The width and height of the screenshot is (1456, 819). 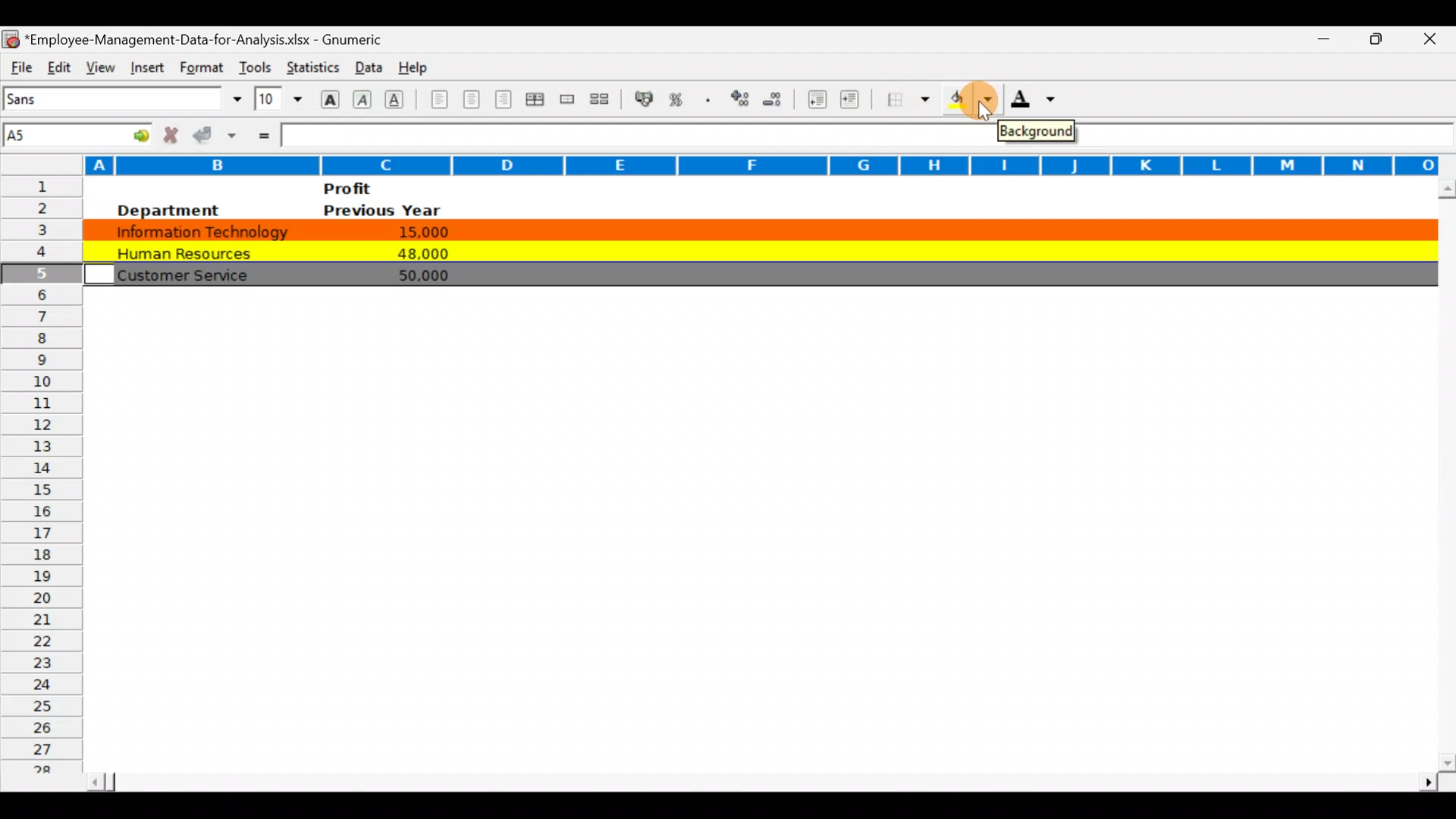 I want to click on Format, so click(x=199, y=67).